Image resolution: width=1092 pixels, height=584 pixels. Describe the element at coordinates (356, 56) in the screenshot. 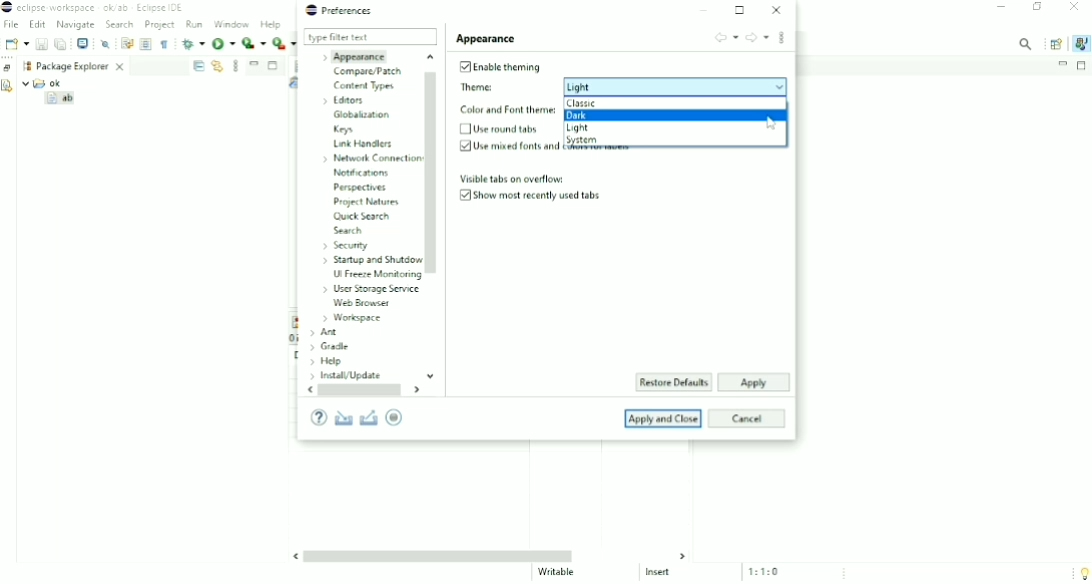

I see `Appearance` at that location.